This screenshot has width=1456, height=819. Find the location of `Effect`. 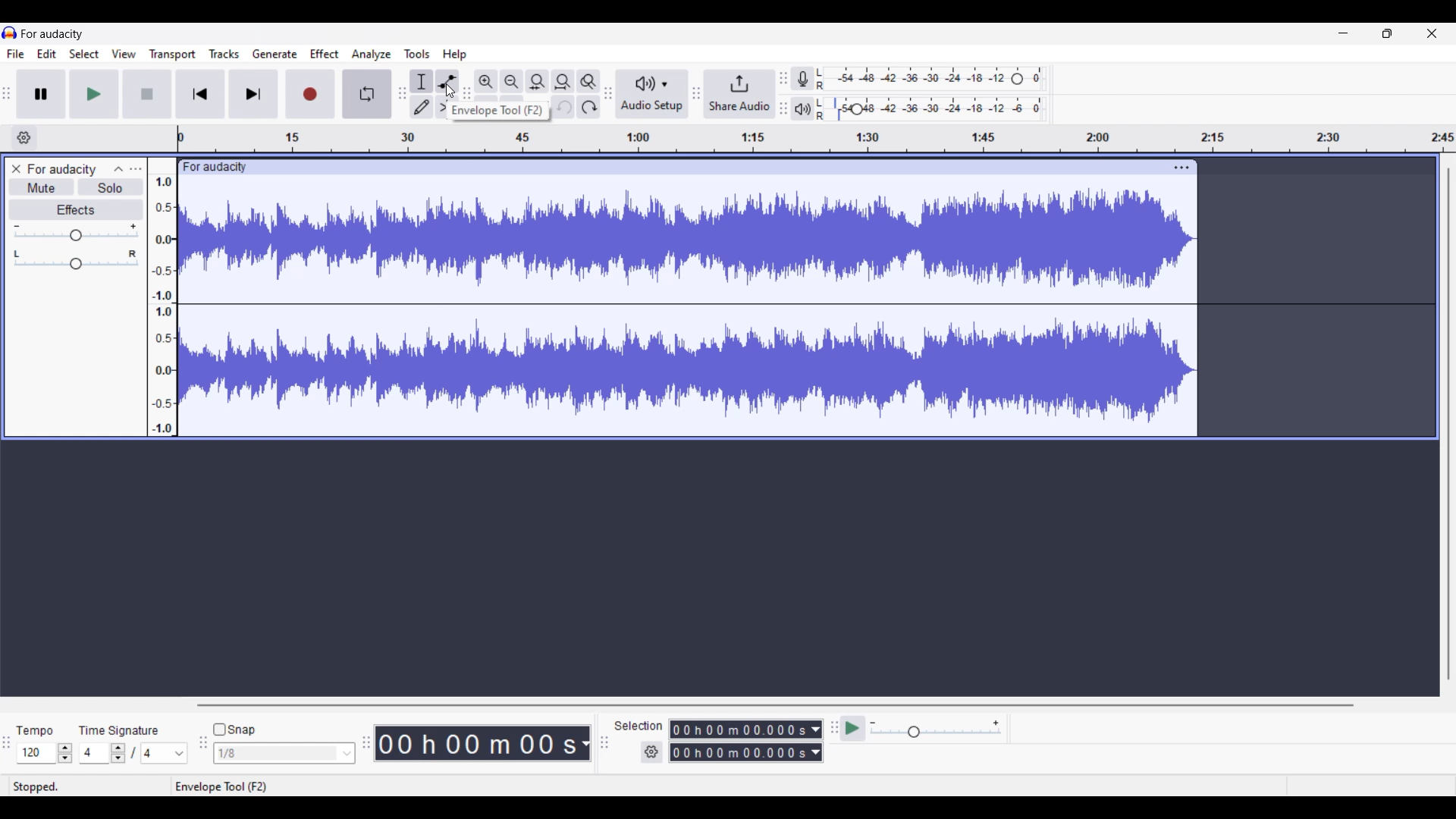

Effect is located at coordinates (325, 53).